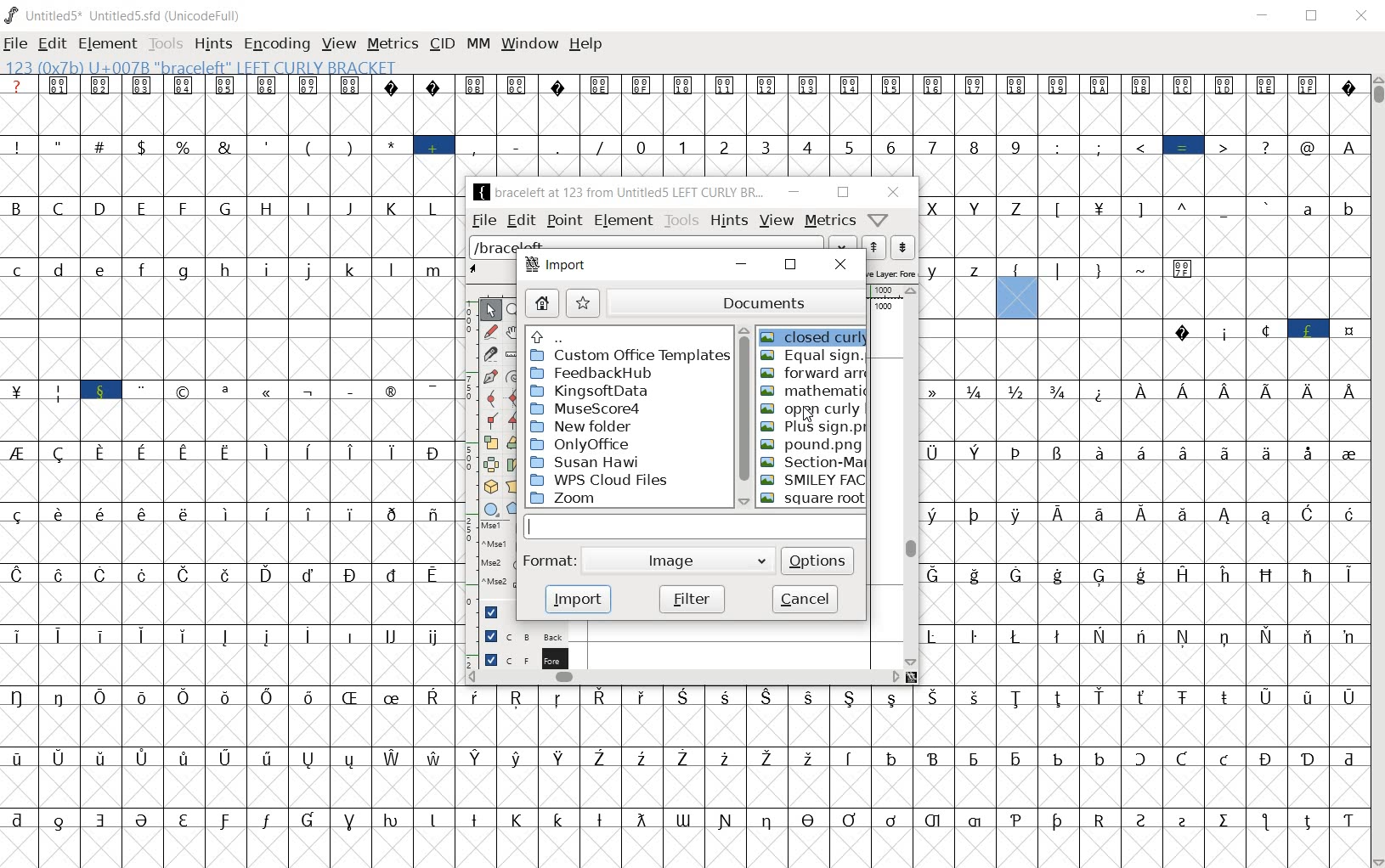 The image size is (1385, 868). What do you see at coordinates (514, 465) in the screenshot?
I see `Rotate the selection` at bounding box center [514, 465].